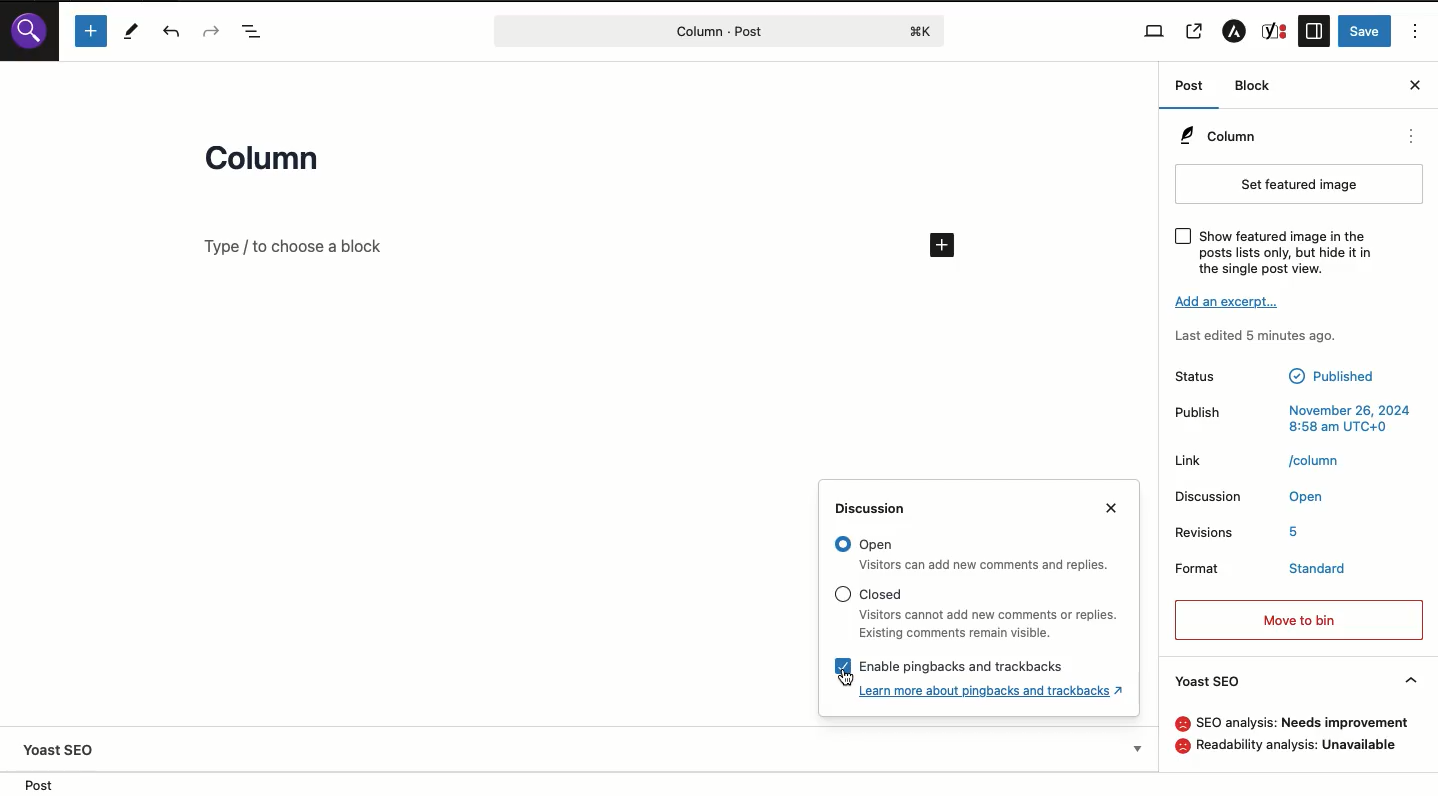  Describe the element at coordinates (1275, 31) in the screenshot. I see `Yoast` at that location.